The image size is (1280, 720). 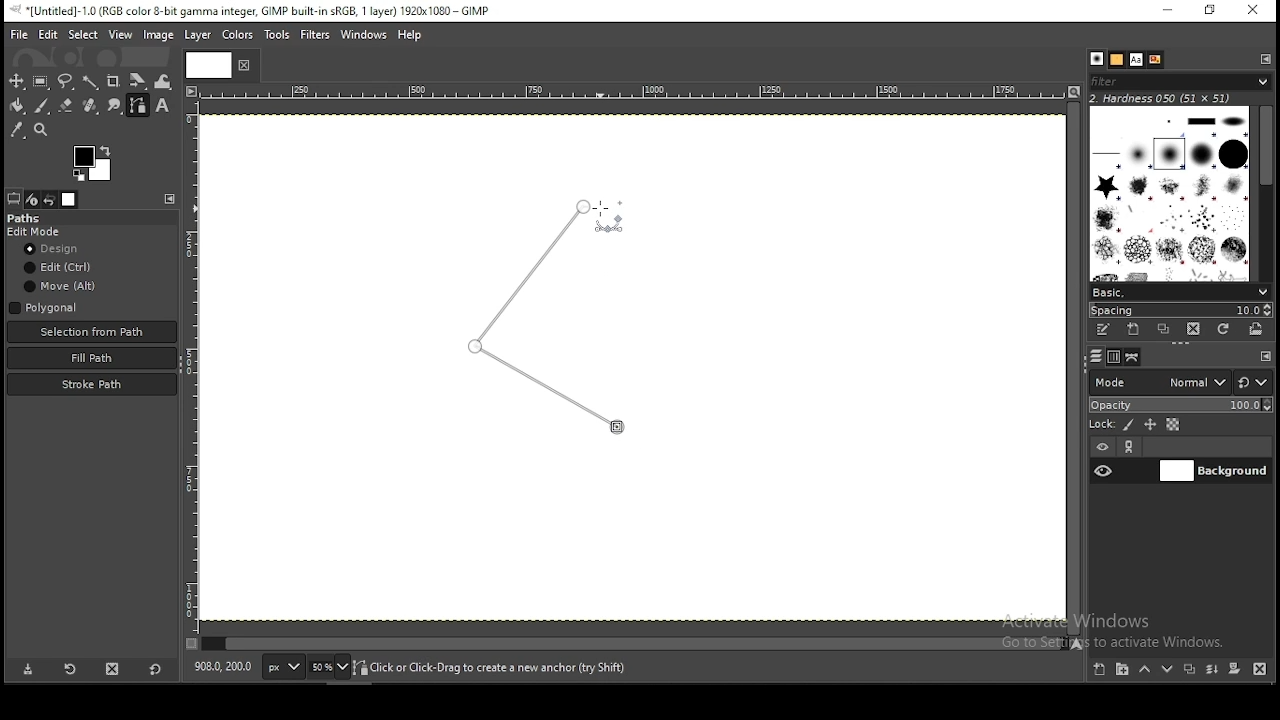 What do you see at coordinates (632, 645) in the screenshot?
I see `scroll bar` at bounding box center [632, 645].